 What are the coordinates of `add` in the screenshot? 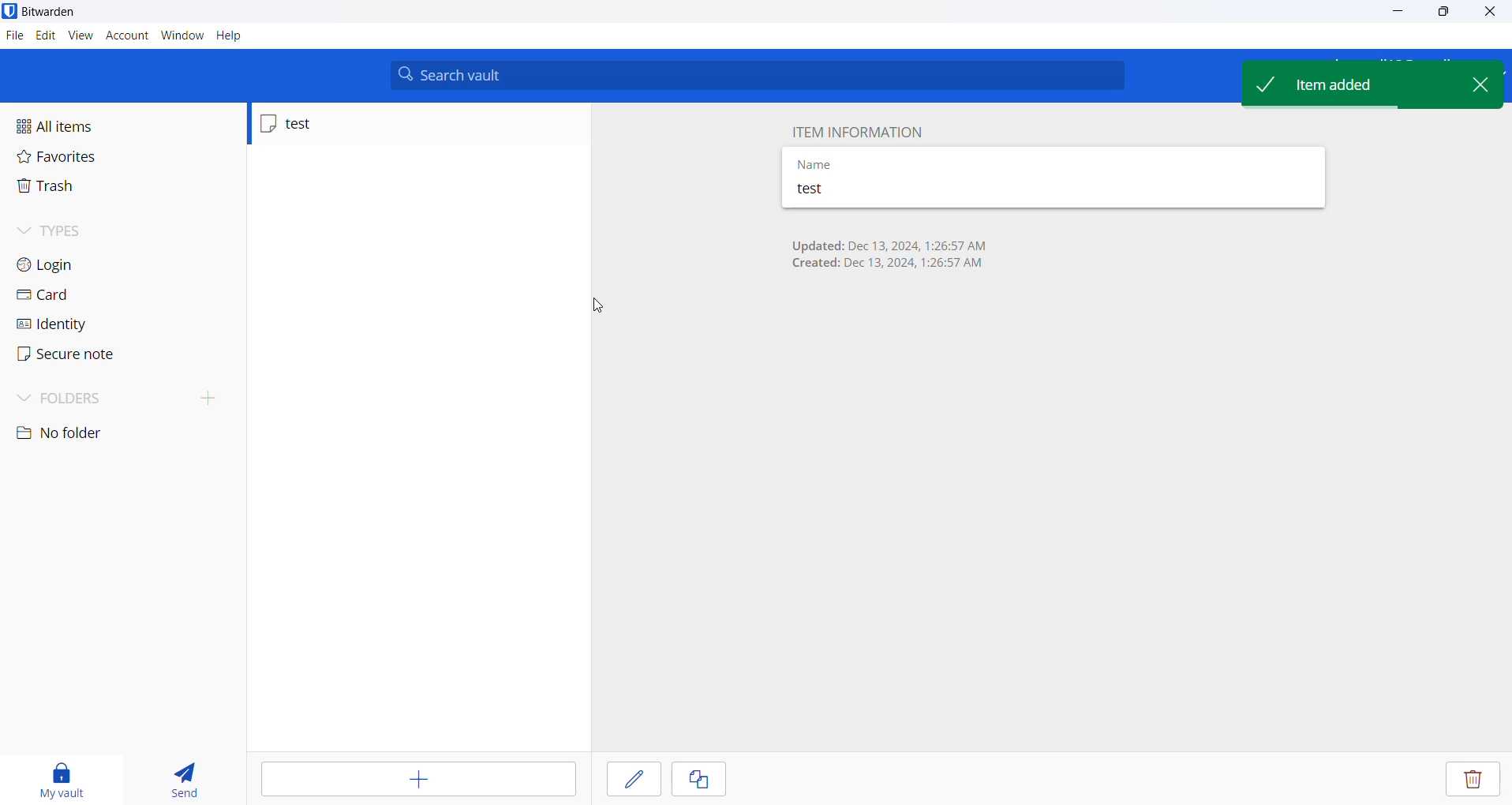 It's located at (412, 779).